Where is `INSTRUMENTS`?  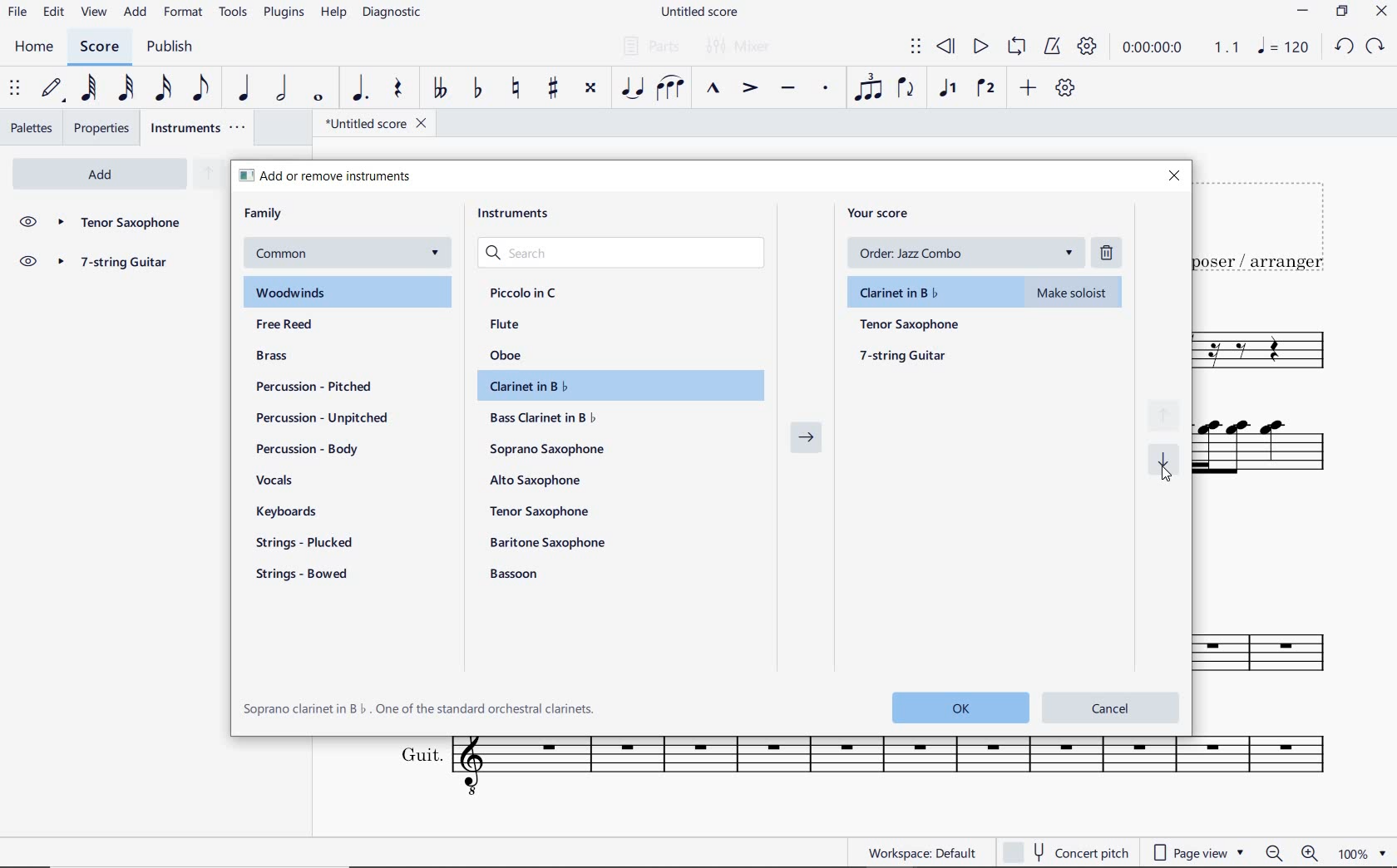 INSTRUMENTS is located at coordinates (200, 127).